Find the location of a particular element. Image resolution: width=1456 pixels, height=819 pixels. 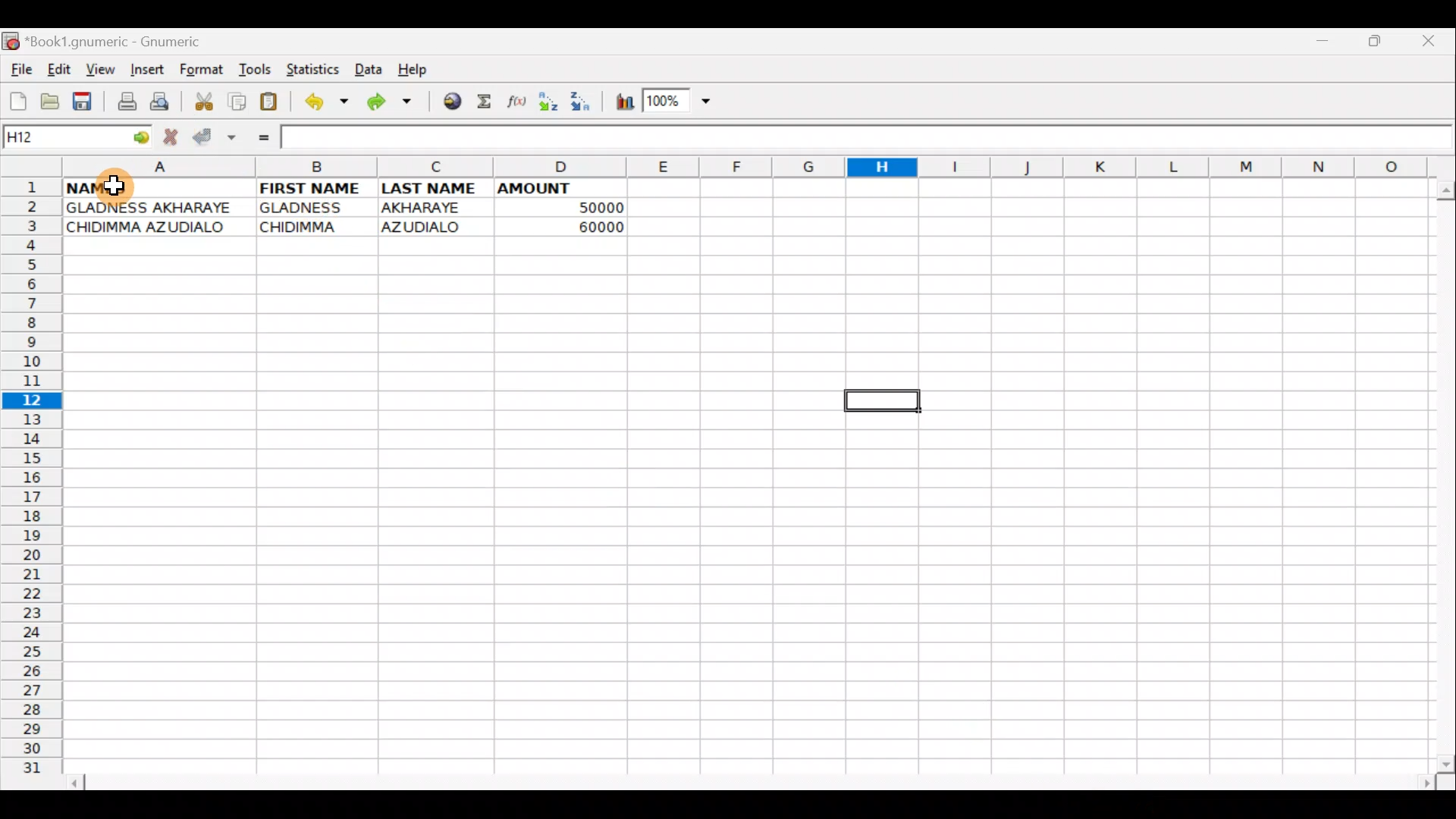

Formula bar is located at coordinates (869, 140).